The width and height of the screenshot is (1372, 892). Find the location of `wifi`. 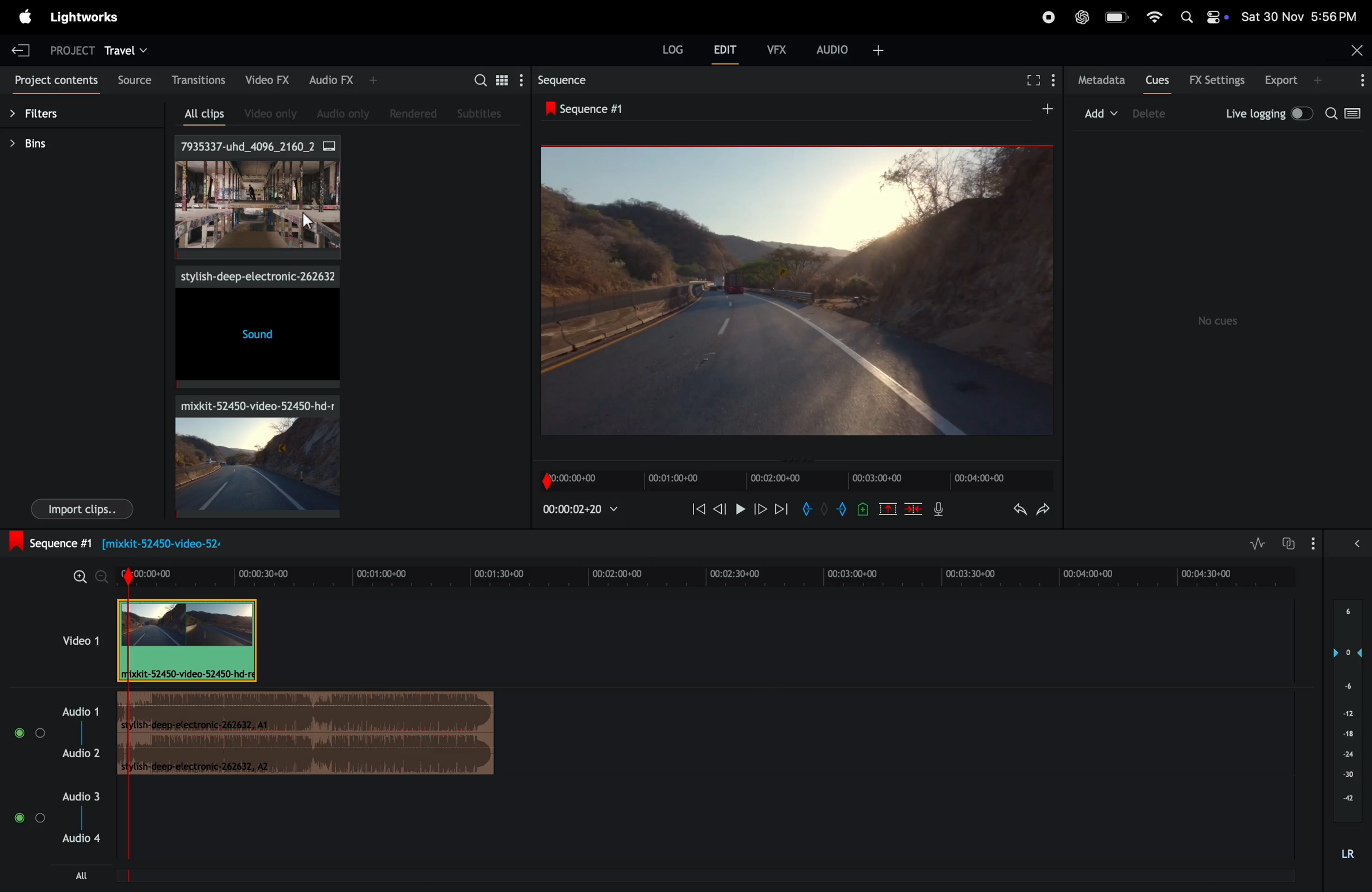

wifi is located at coordinates (1152, 16).